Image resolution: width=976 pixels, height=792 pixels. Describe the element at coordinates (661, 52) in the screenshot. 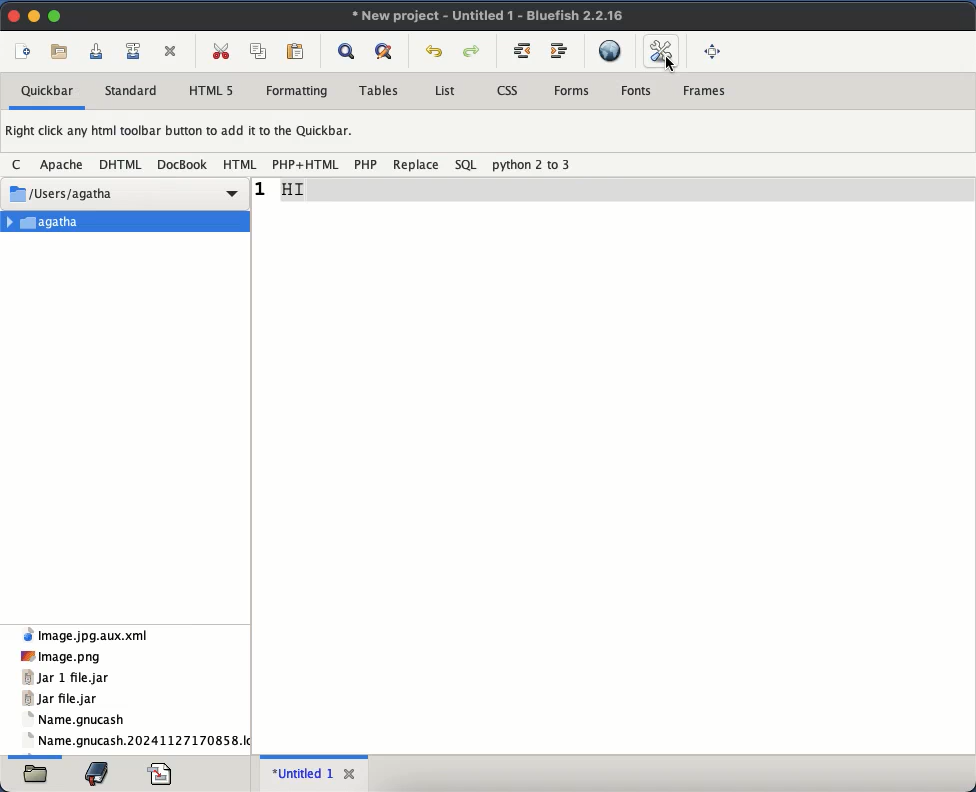

I see `edit preferences` at that location.